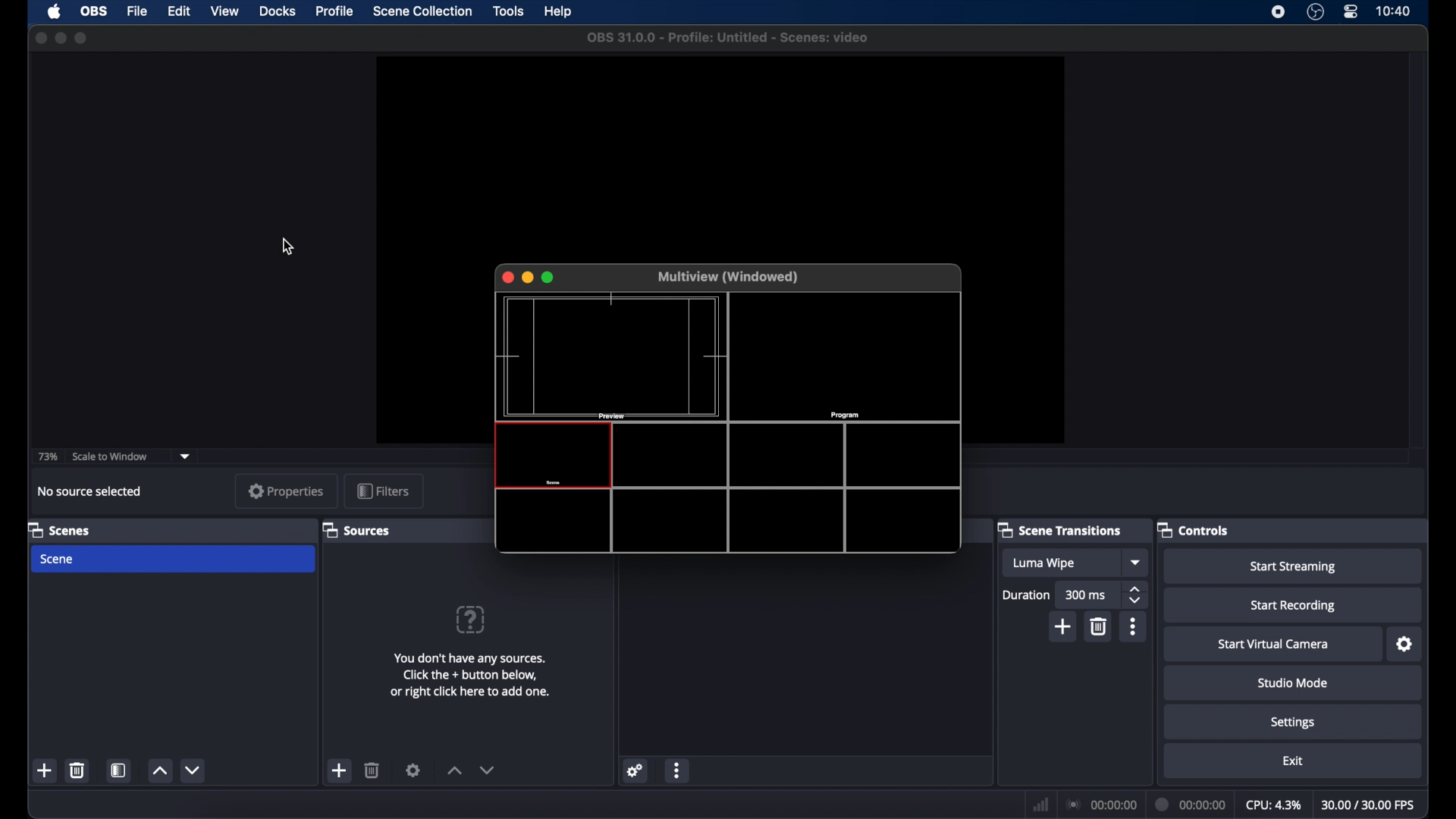 The width and height of the screenshot is (1456, 819). I want to click on docks, so click(278, 12).